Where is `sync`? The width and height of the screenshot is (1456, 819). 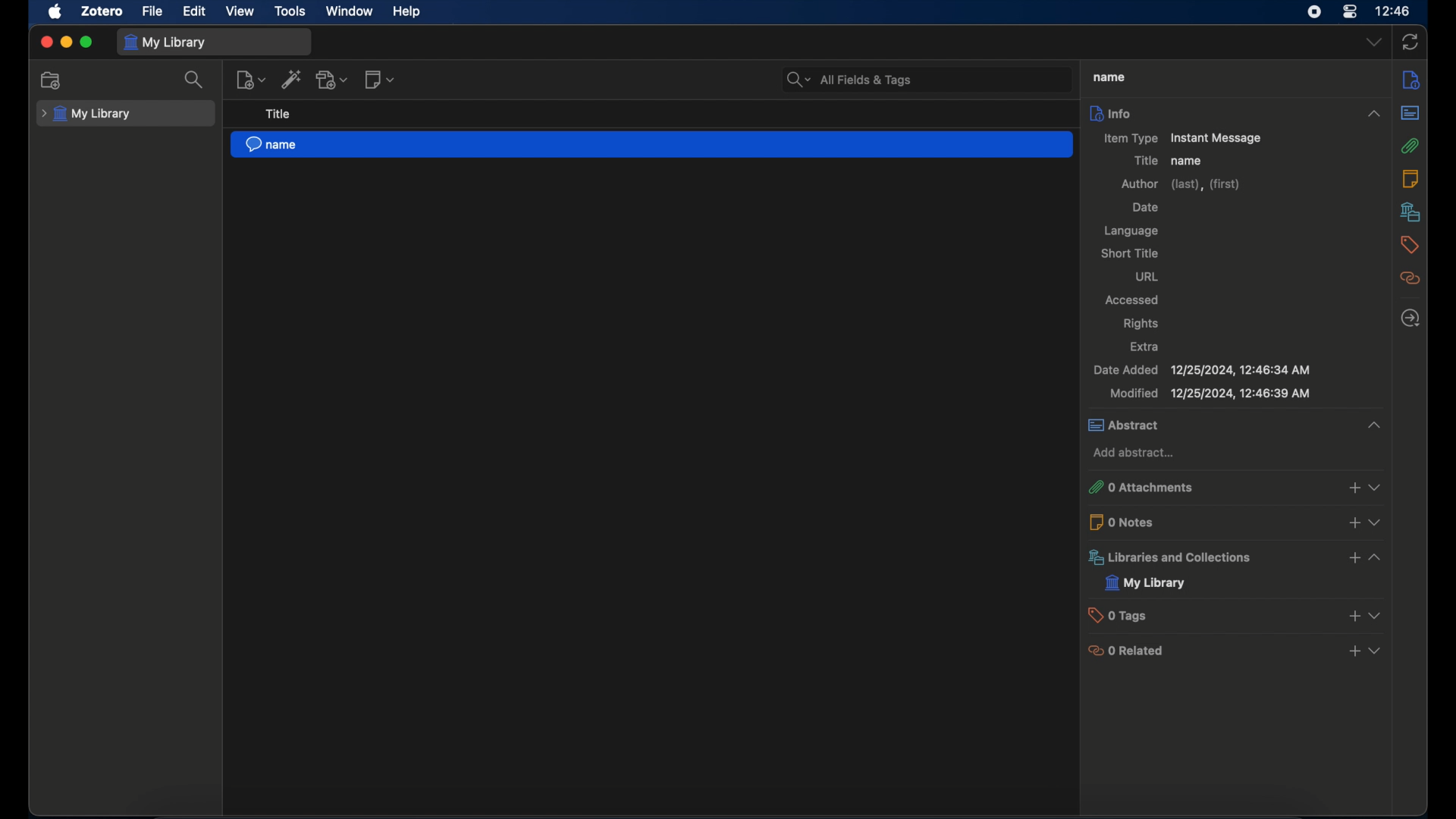 sync is located at coordinates (1410, 42).